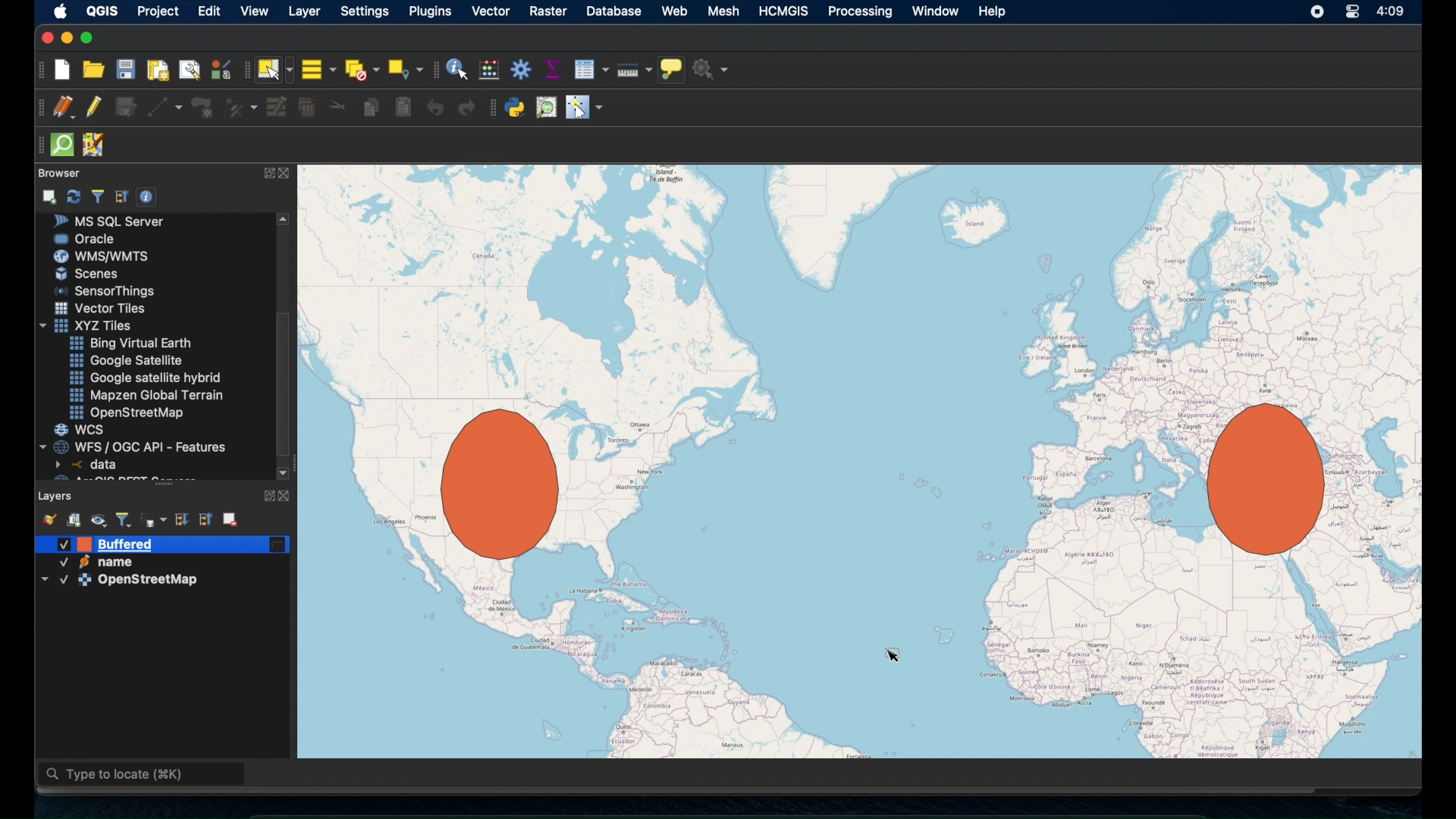 The height and width of the screenshot is (819, 1456). I want to click on hidden text, so click(112, 478).